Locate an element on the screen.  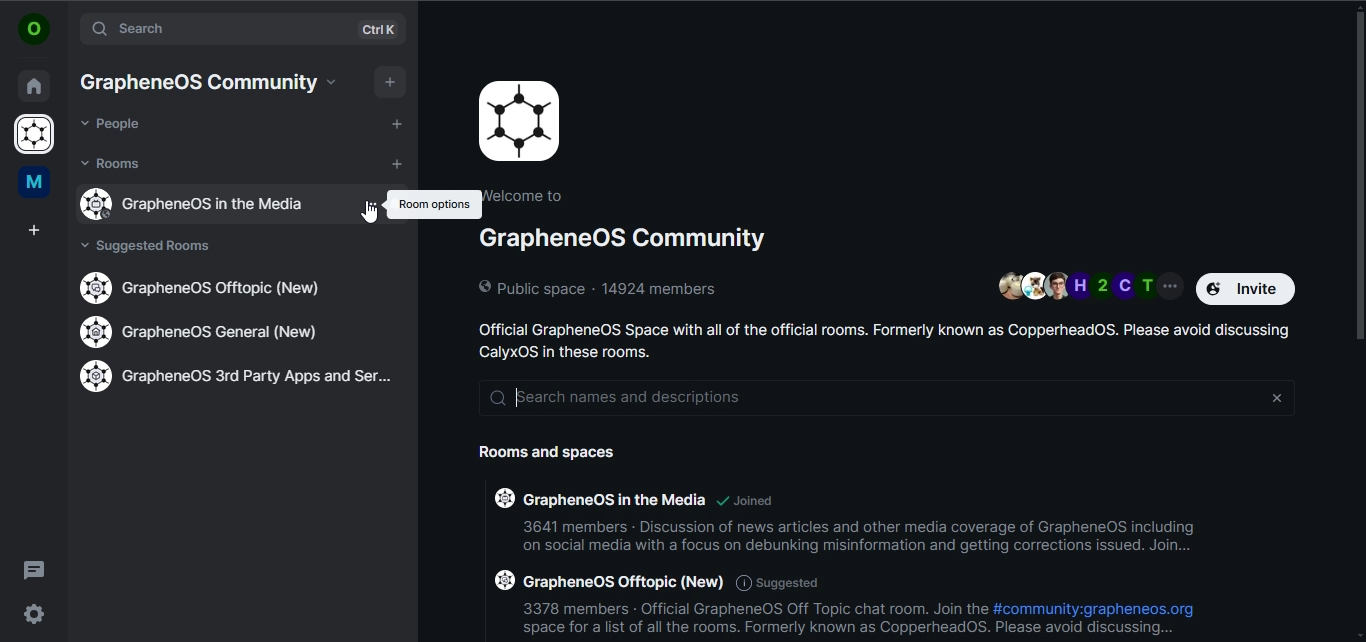
srapheneOS Offtopic (New) (1) suggested1378 members - Official GrapheneOS Off Topic chat room. Join the  is located at coordinates (739, 592).